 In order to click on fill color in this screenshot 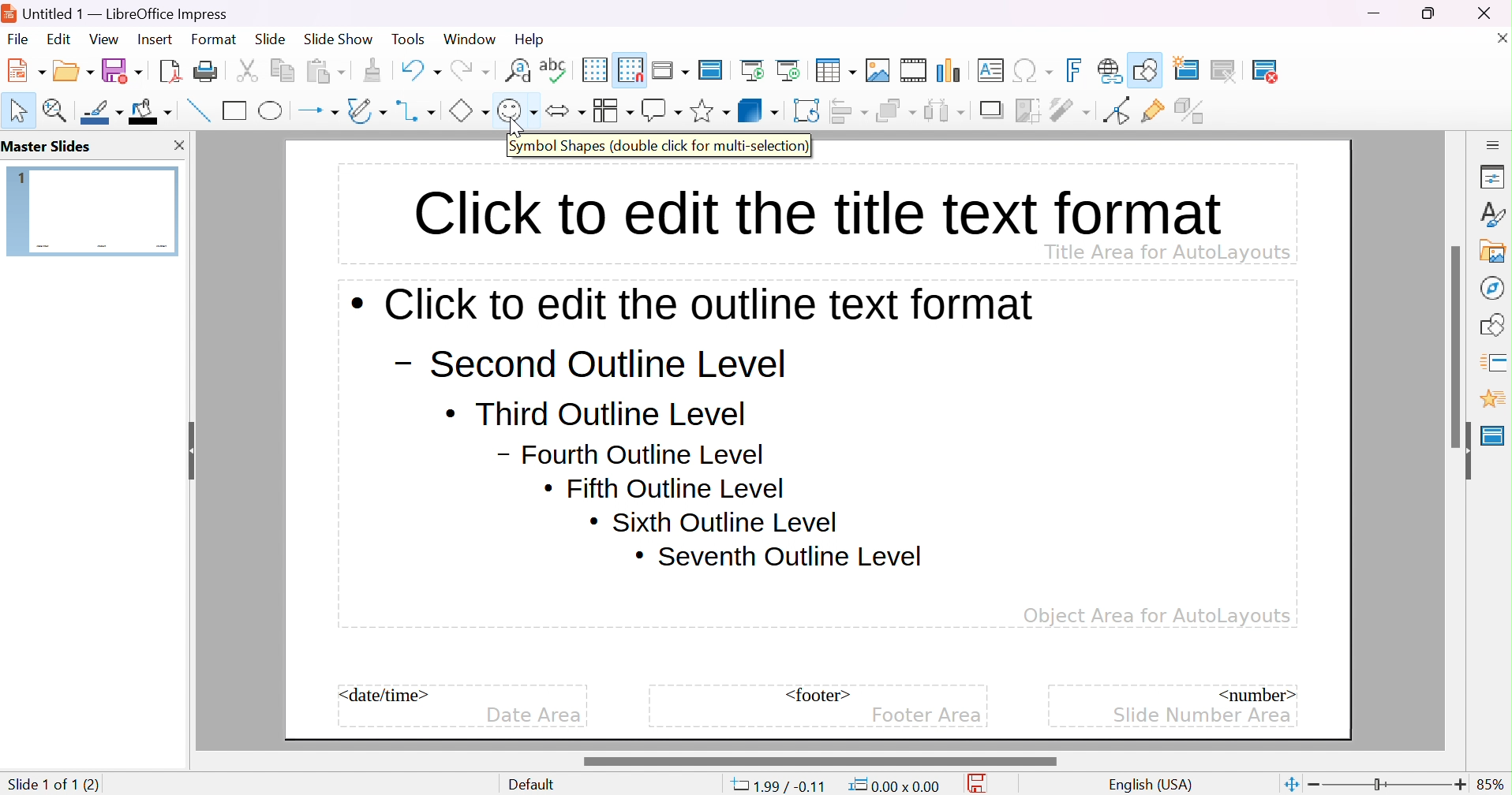, I will do `click(151, 110)`.